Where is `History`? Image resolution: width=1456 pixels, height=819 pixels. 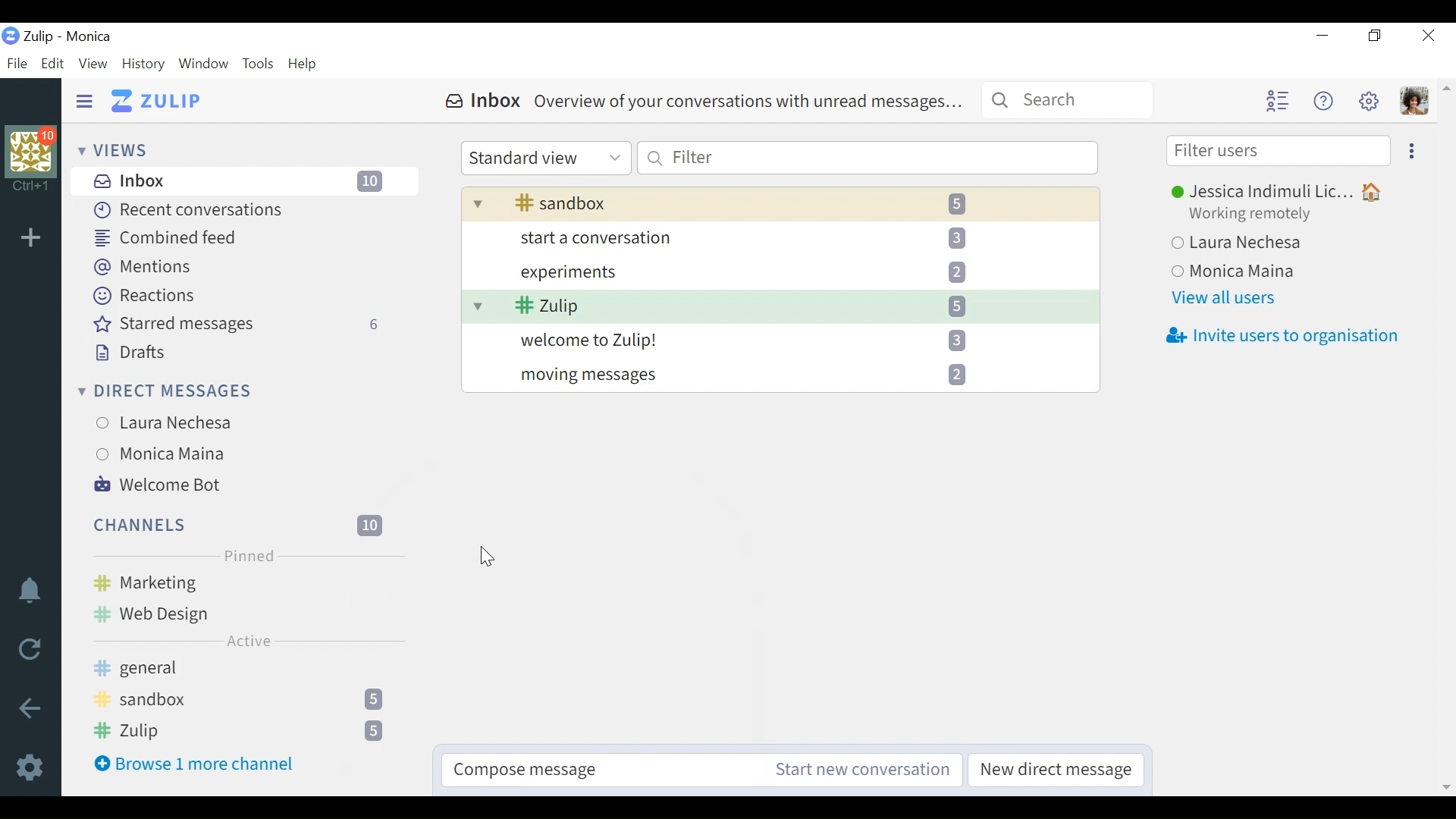
History is located at coordinates (144, 64).